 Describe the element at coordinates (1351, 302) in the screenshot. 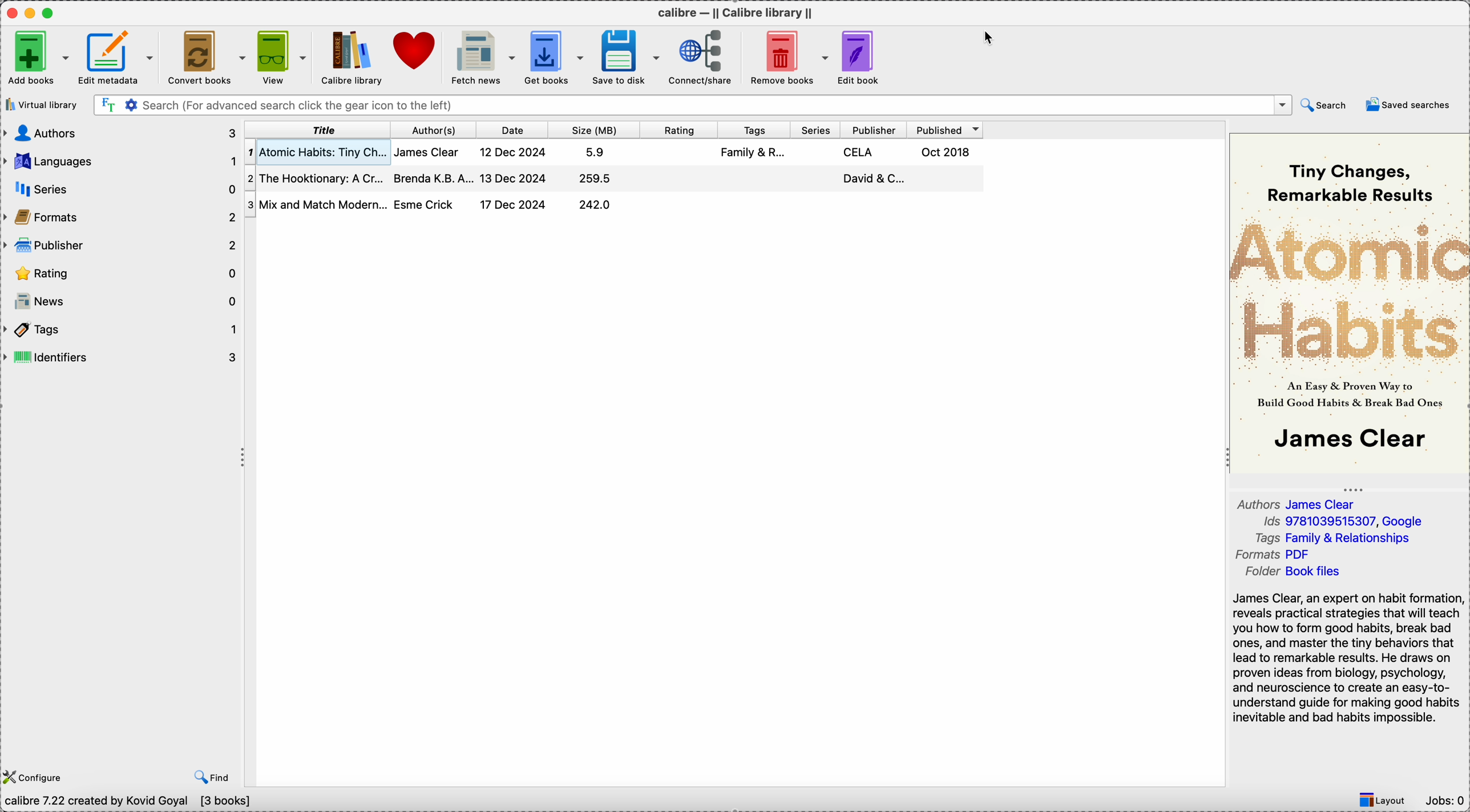

I see `book cover preview` at that location.